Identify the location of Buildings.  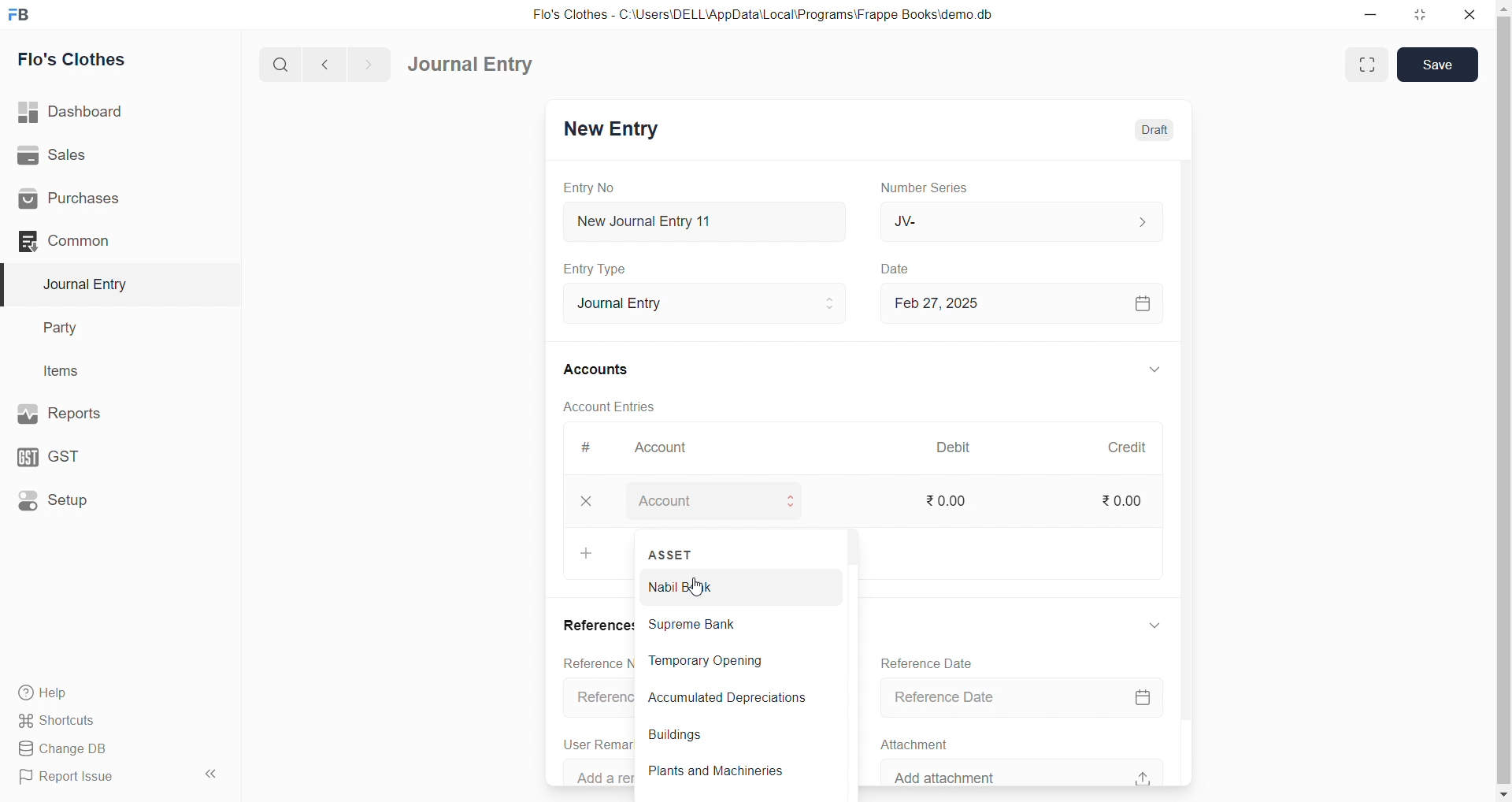
(685, 737).